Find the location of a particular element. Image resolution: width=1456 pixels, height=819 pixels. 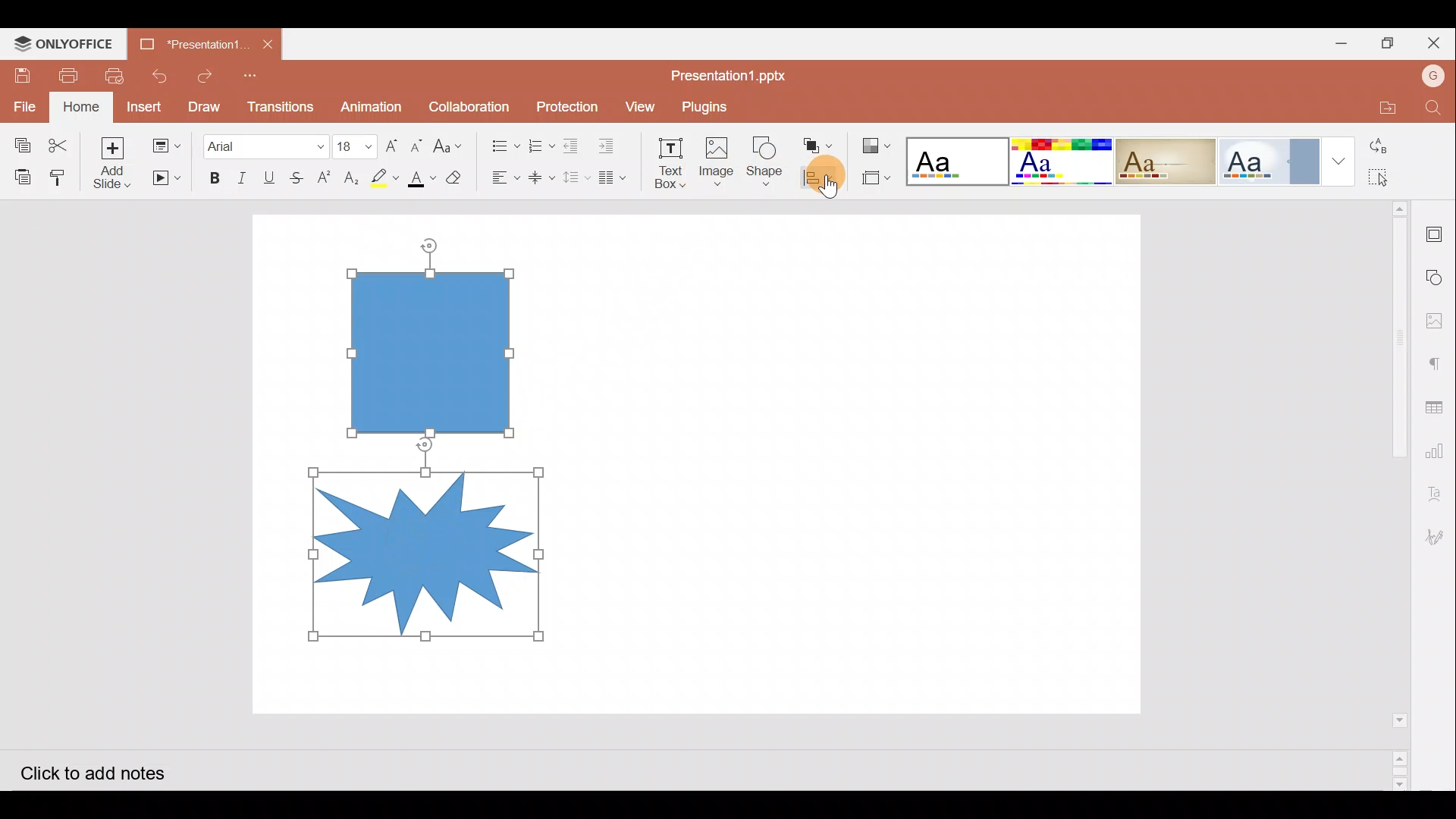

Image settings is located at coordinates (1439, 316).